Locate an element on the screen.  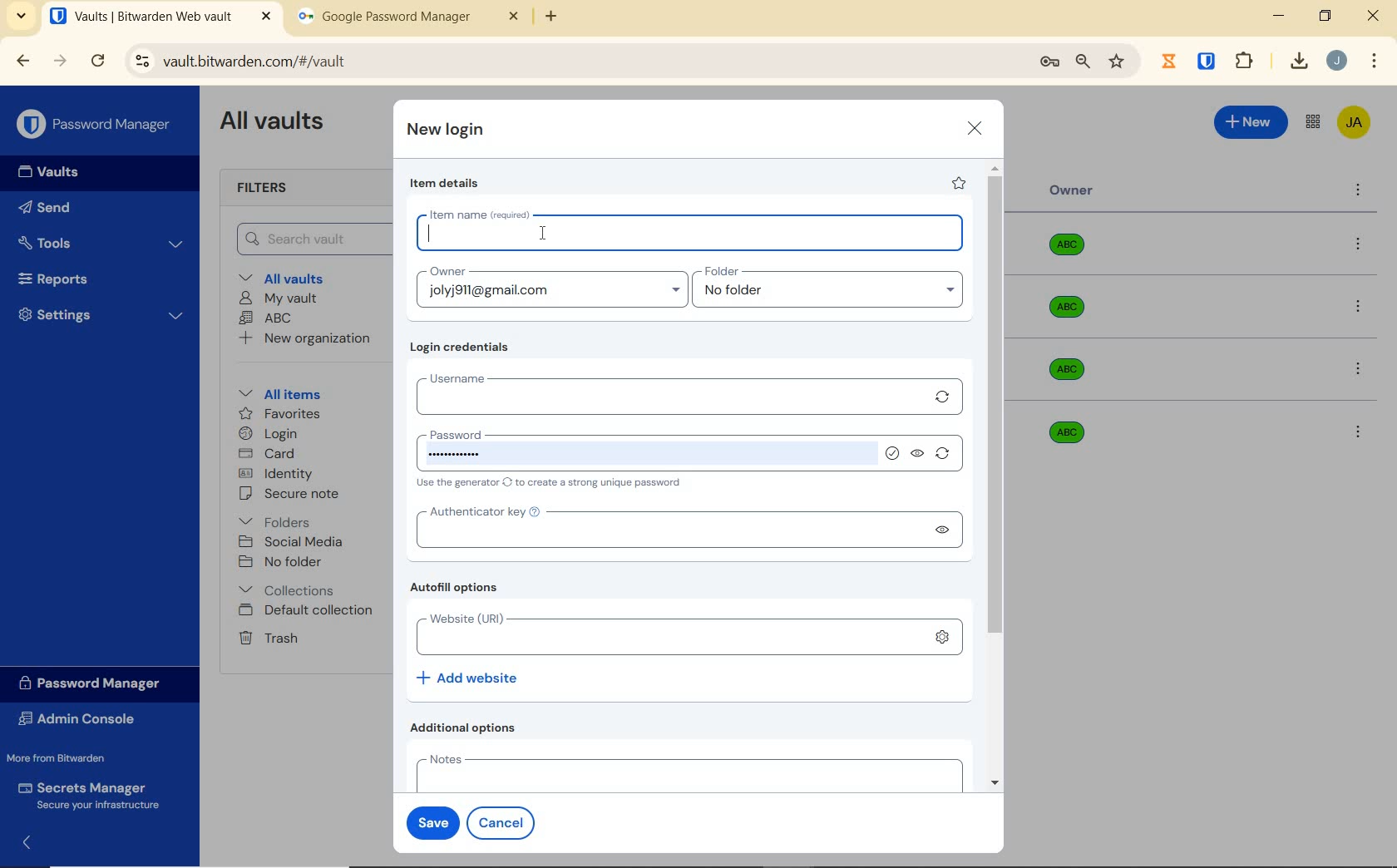
Social media is located at coordinates (289, 541).